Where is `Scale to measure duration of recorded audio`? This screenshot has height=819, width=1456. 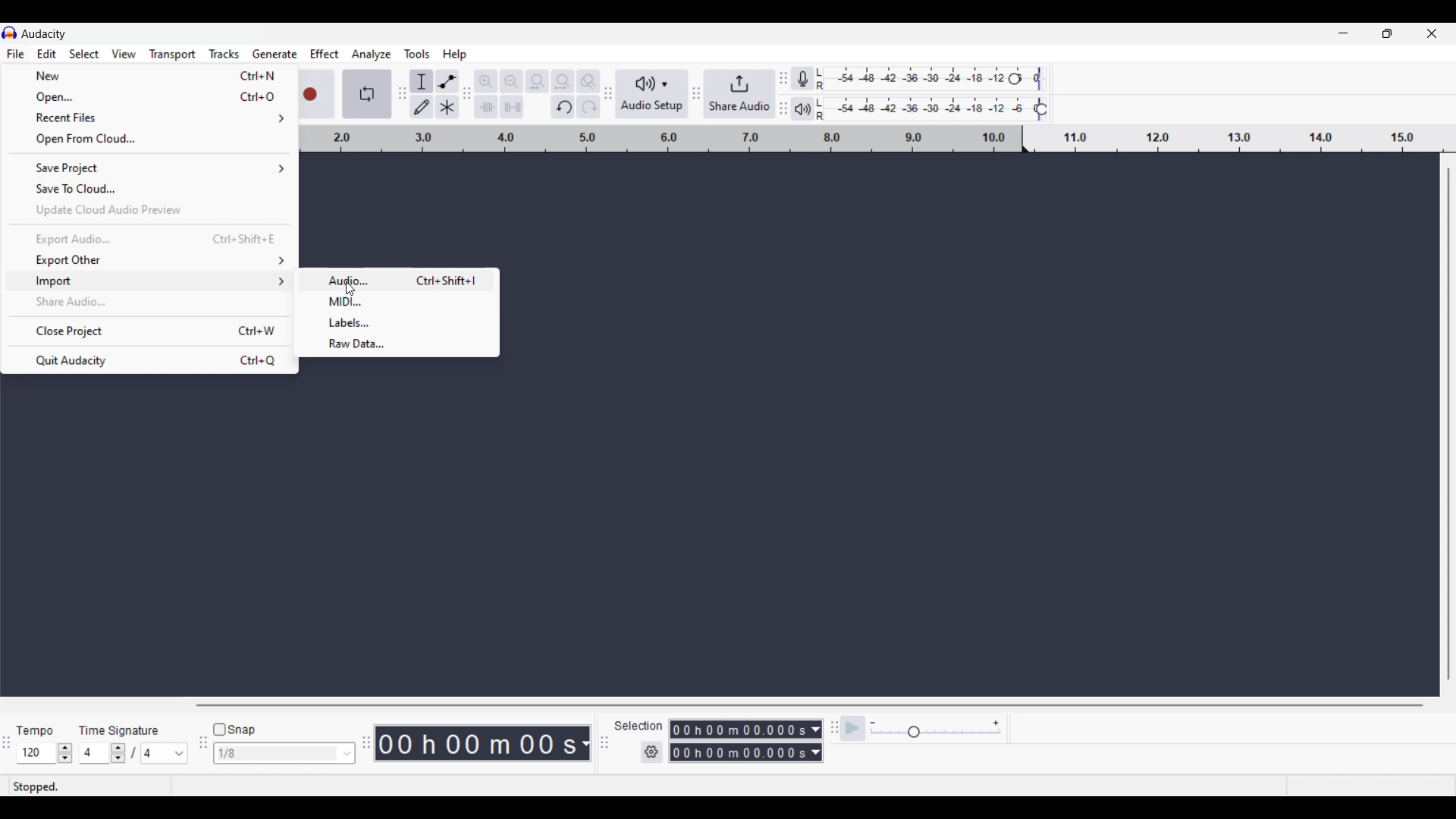
Scale to measure duration of recorded audio is located at coordinates (878, 140).